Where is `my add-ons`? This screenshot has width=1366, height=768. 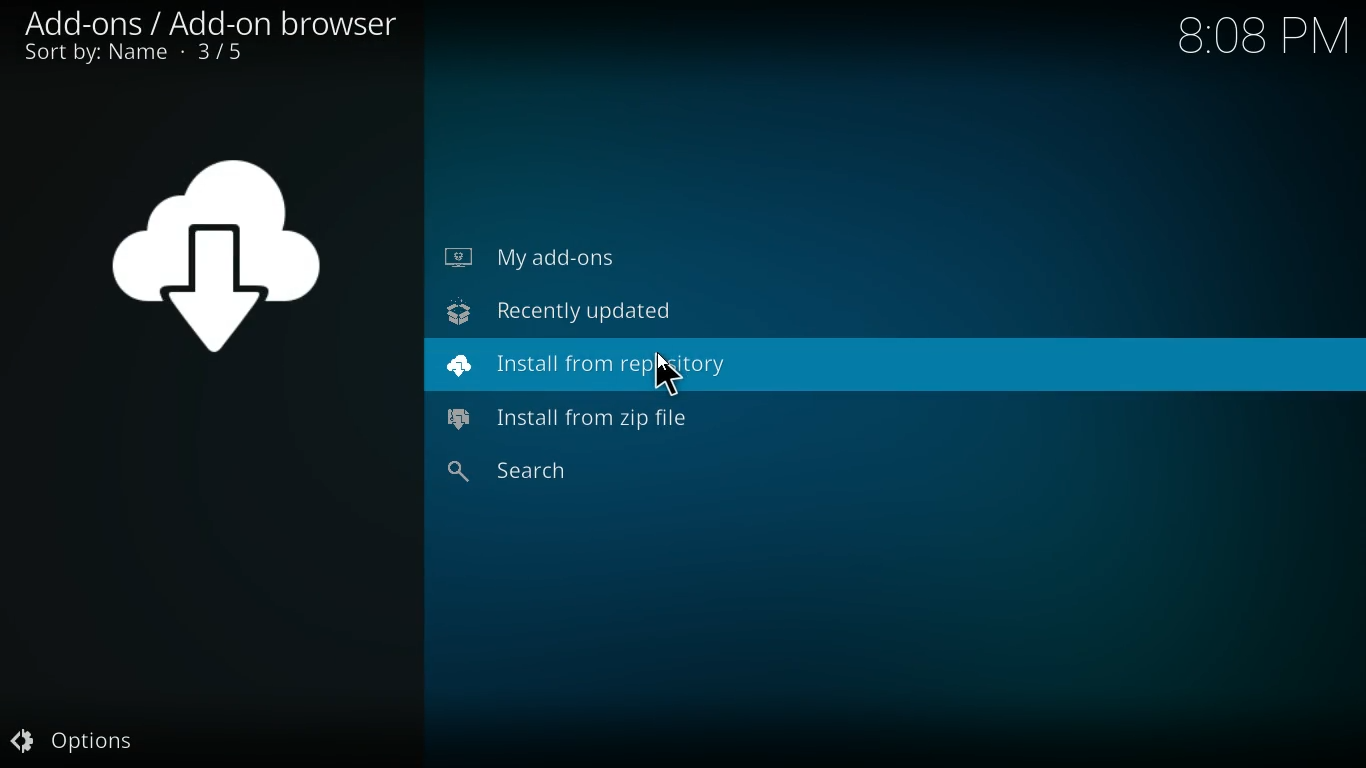
my add-ons is located at coordinates (545, 258).